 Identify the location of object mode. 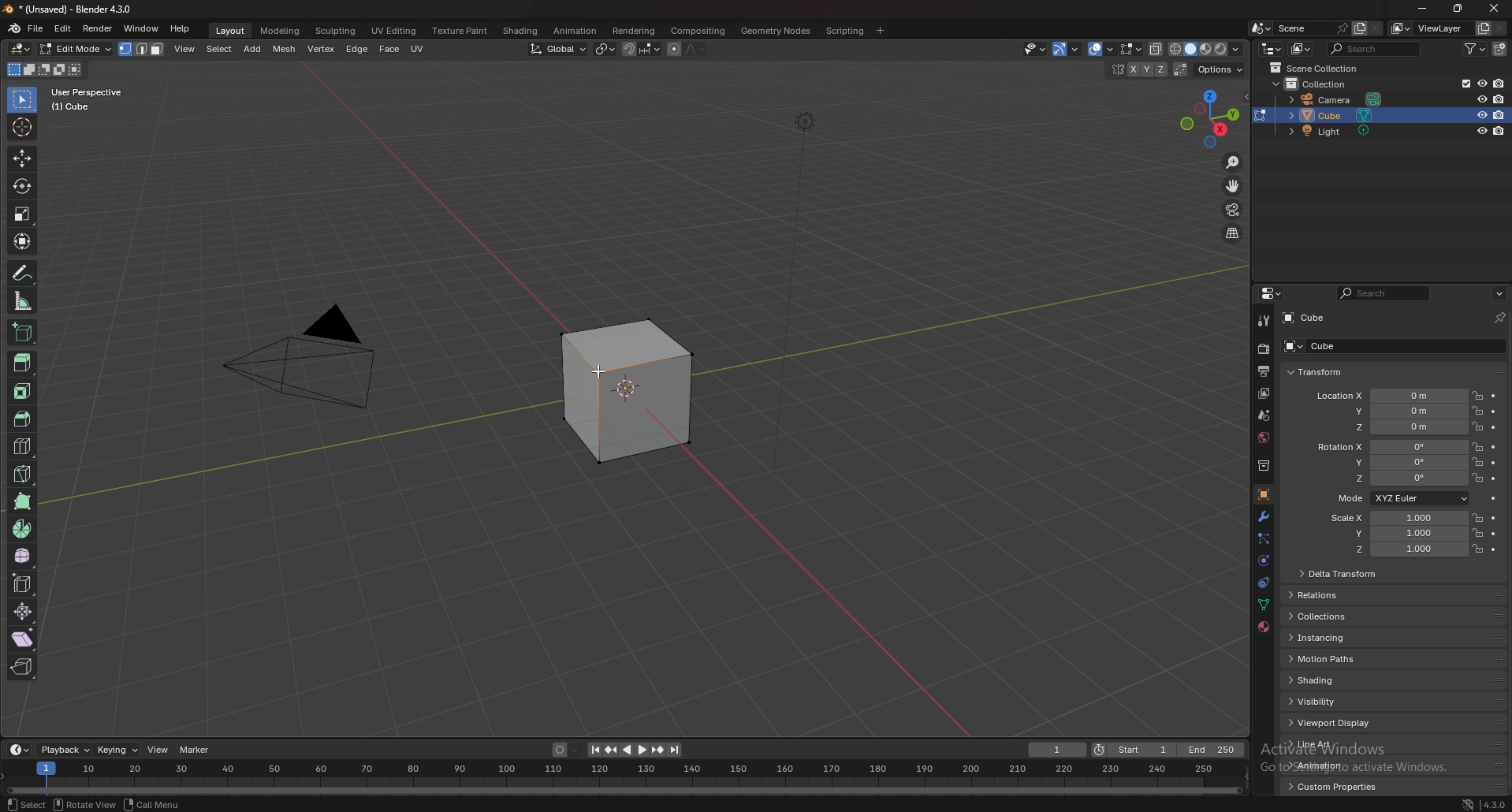
(104, 48).